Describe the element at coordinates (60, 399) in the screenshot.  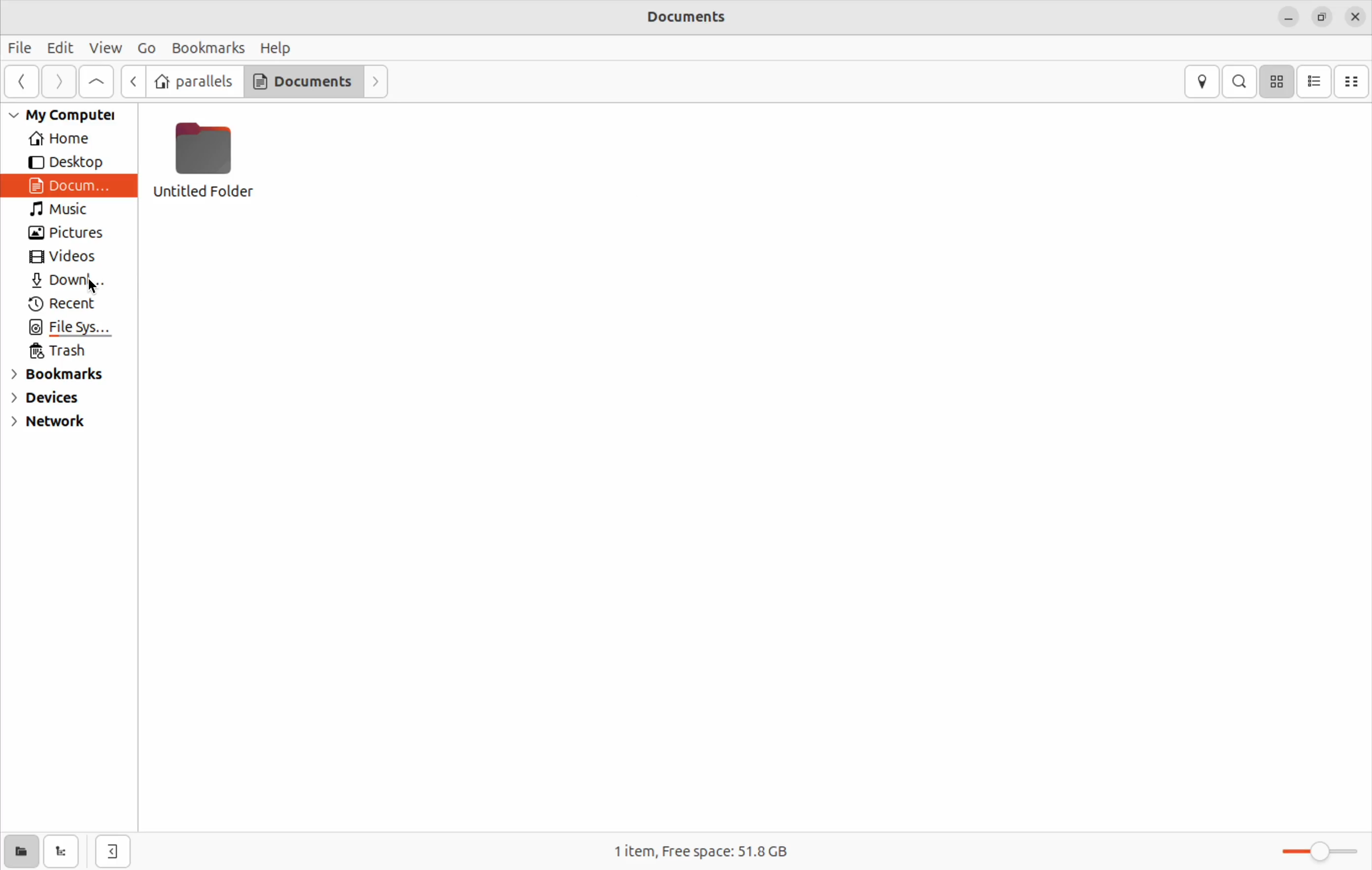
I see `devices` at that location.